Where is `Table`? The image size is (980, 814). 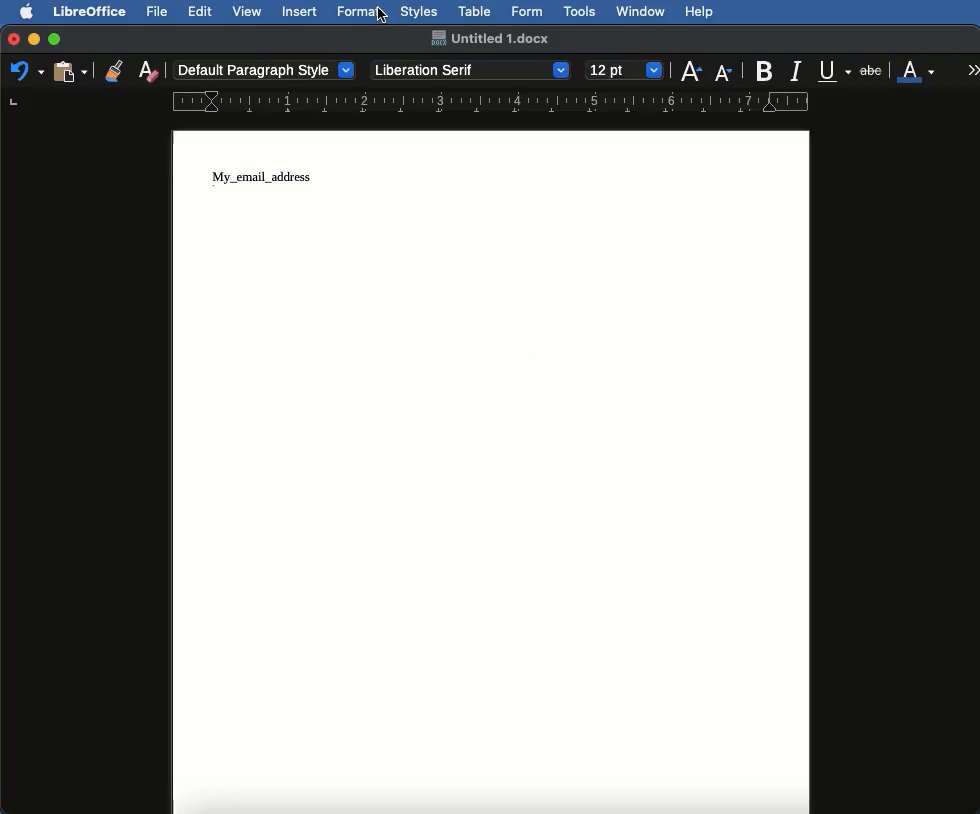 Table is located at coordinates (475, 9).